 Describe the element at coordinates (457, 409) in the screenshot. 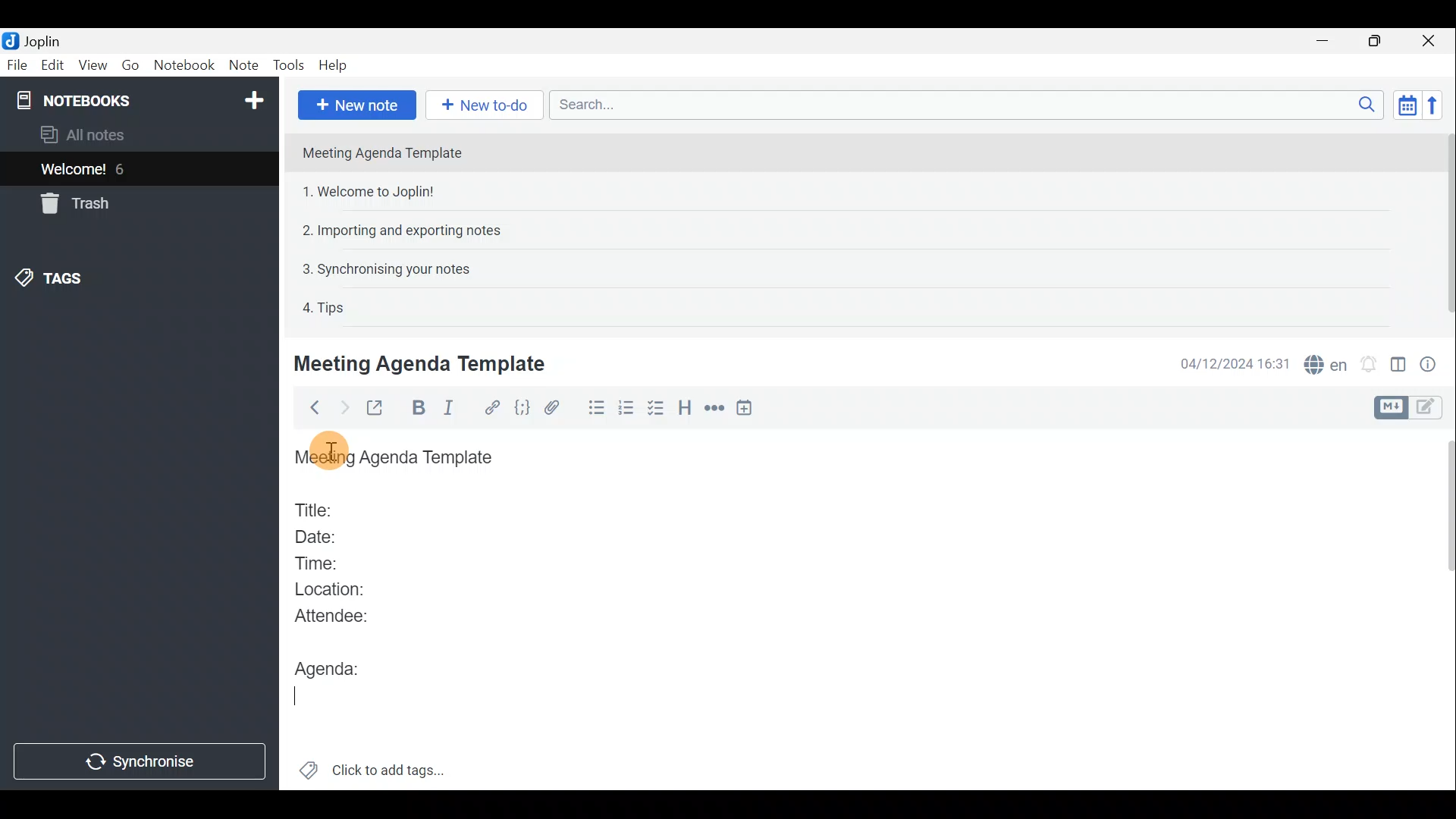

I see `Italic` at that location.